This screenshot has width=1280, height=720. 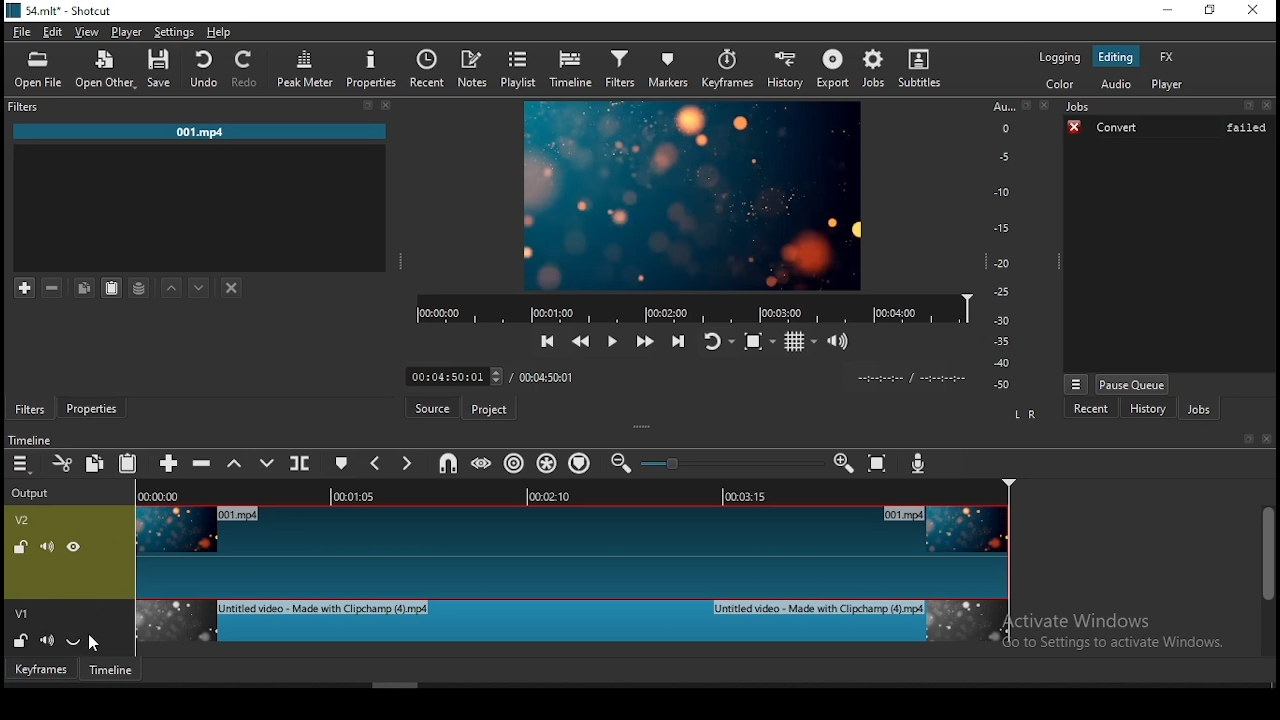 What do you see at coordinates (574, 67) in the screenshot?
I see `timeline` at bounding box center [574, 67].